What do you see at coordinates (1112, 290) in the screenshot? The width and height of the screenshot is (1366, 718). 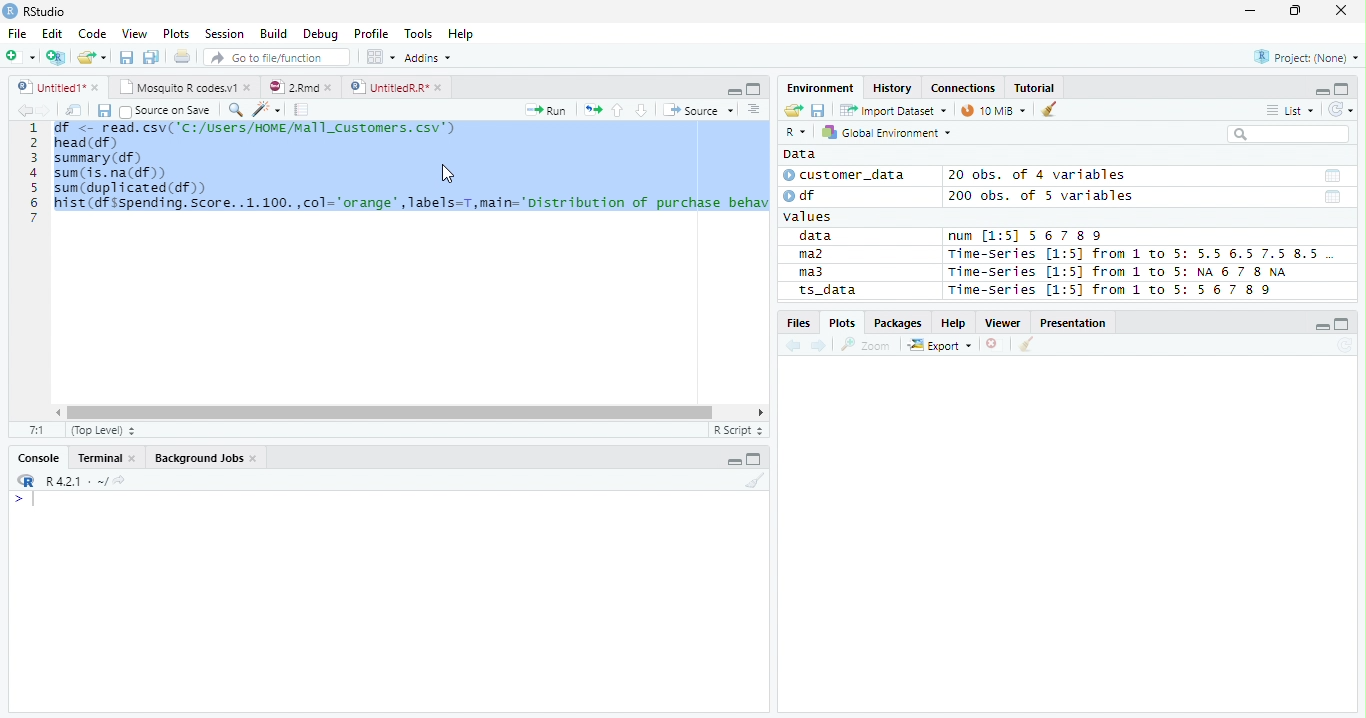 I see `Time-Series [1:5] from 1 to 5: 56 7 8 9` at bounding box center [1112, 290].